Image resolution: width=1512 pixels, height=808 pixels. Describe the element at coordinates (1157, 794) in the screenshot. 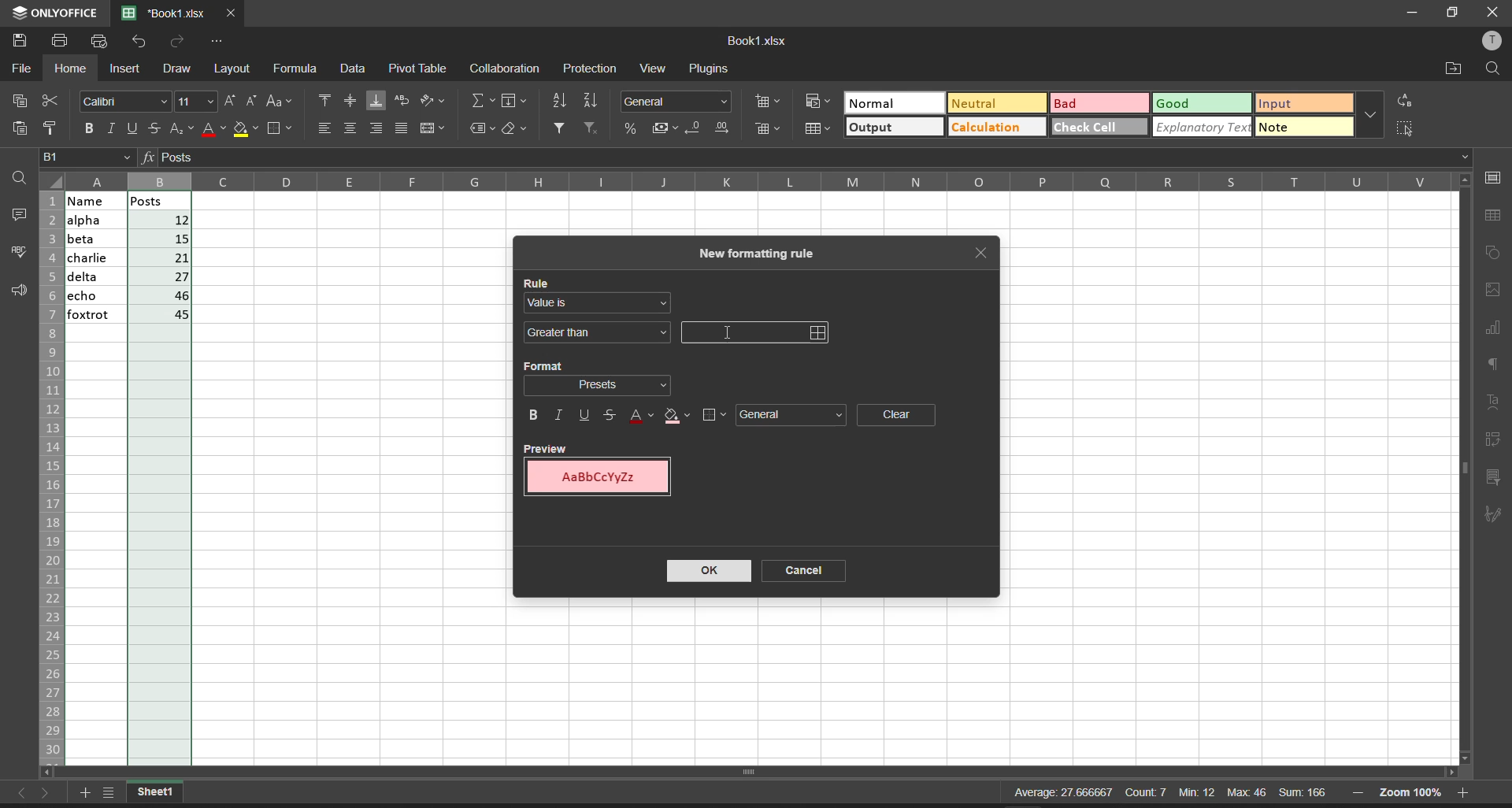

I see `Average: 27.666667 Count:7 Min: 12 Max 46 Sum: 166` at that location.